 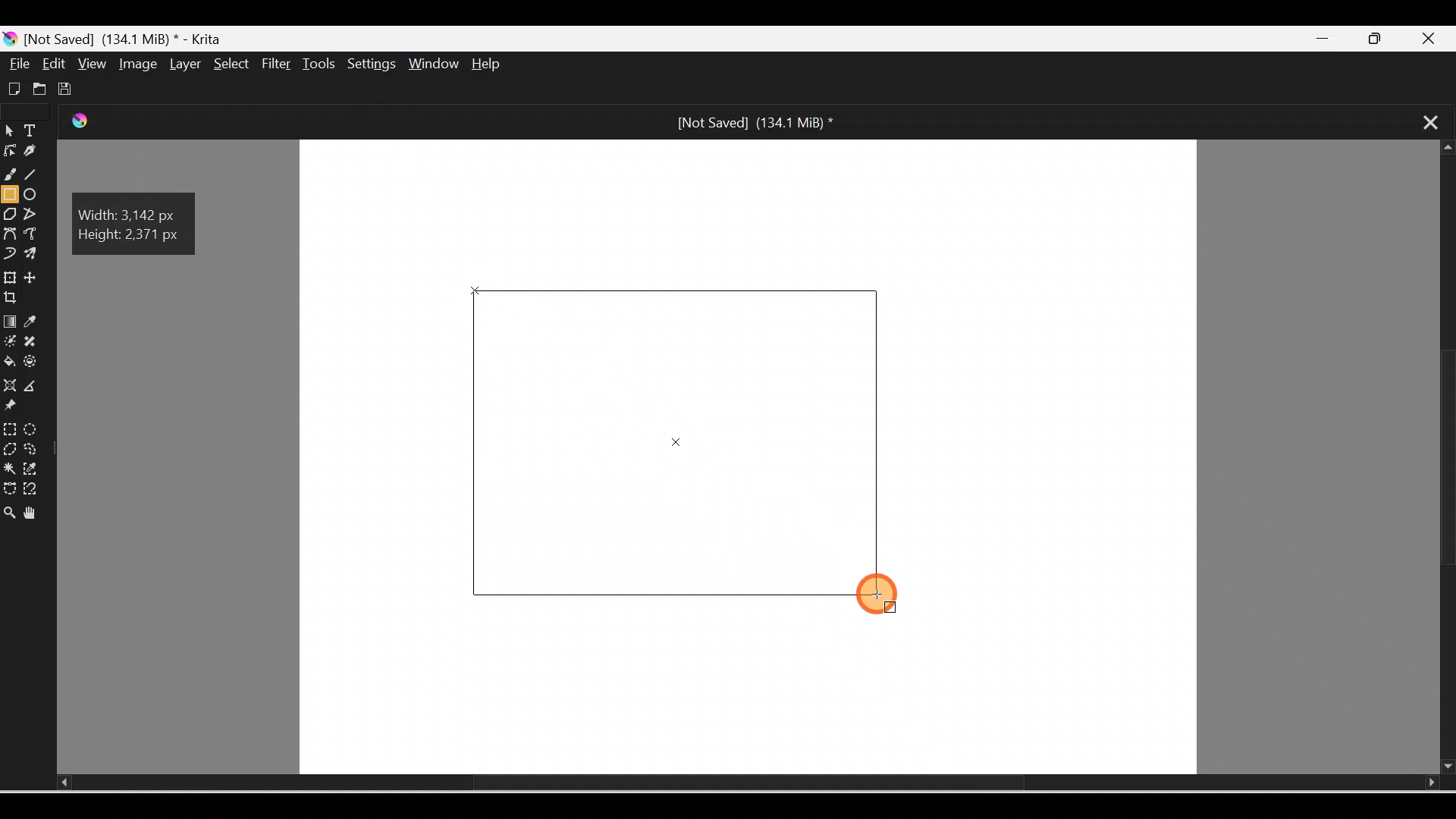 What do you see at coordinates (68, 86) in the screenshot?
I see `Save` at bounding box center [68, 86].